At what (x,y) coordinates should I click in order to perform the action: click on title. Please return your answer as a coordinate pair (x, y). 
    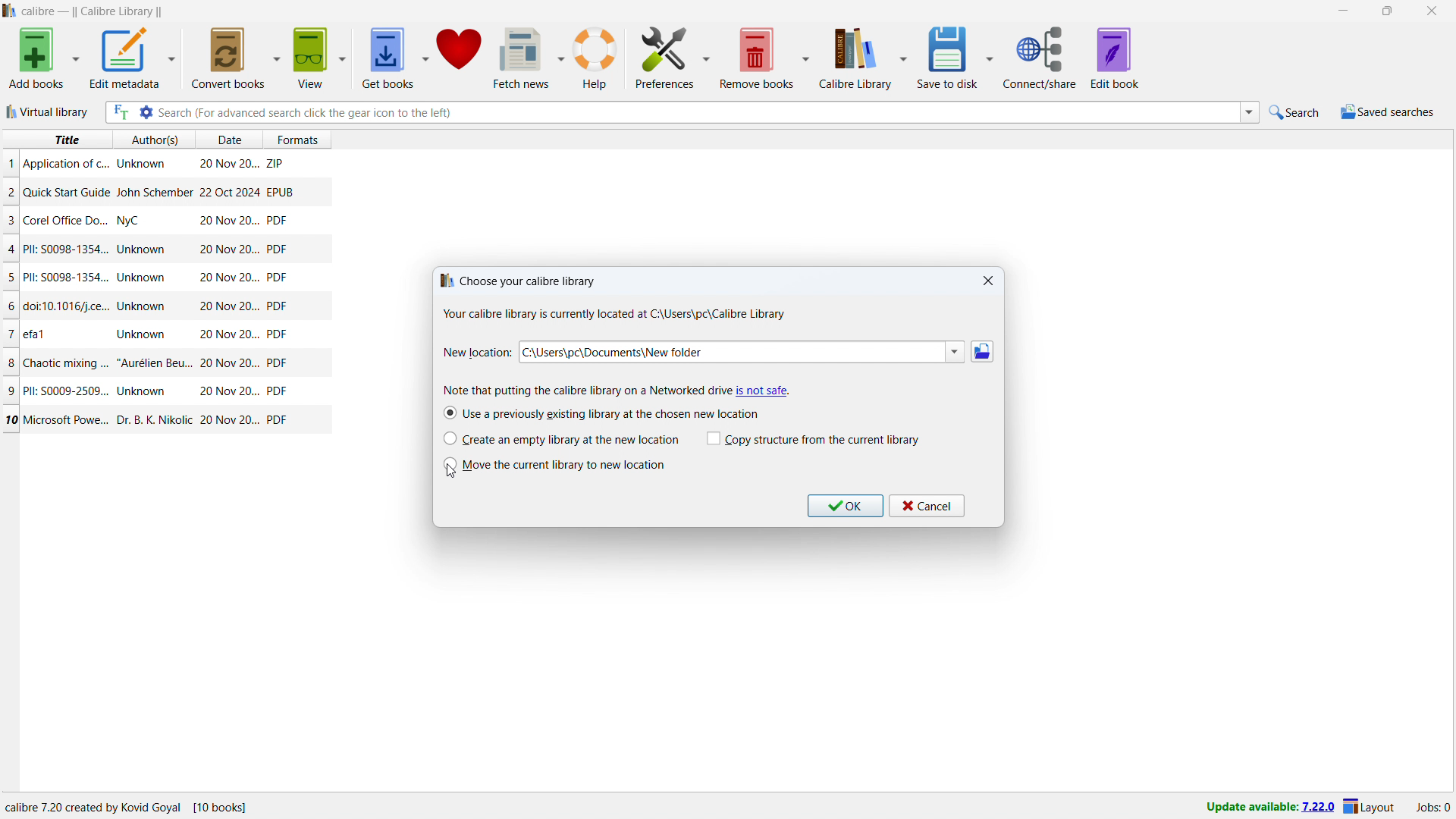
    Looking at the image, I should click on (93, 12).